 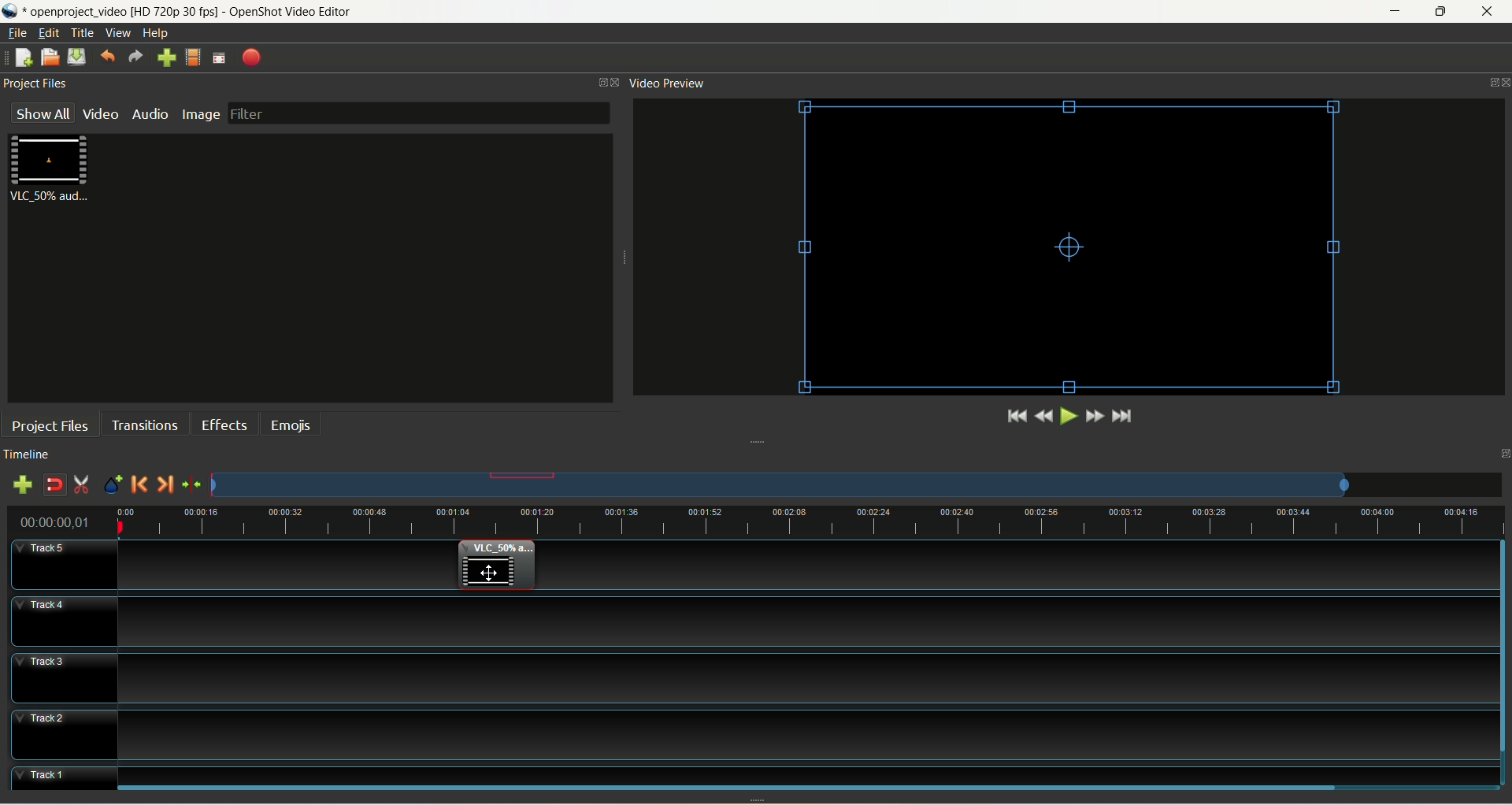 I want to click on maximize, so click(x=1440, y=12).